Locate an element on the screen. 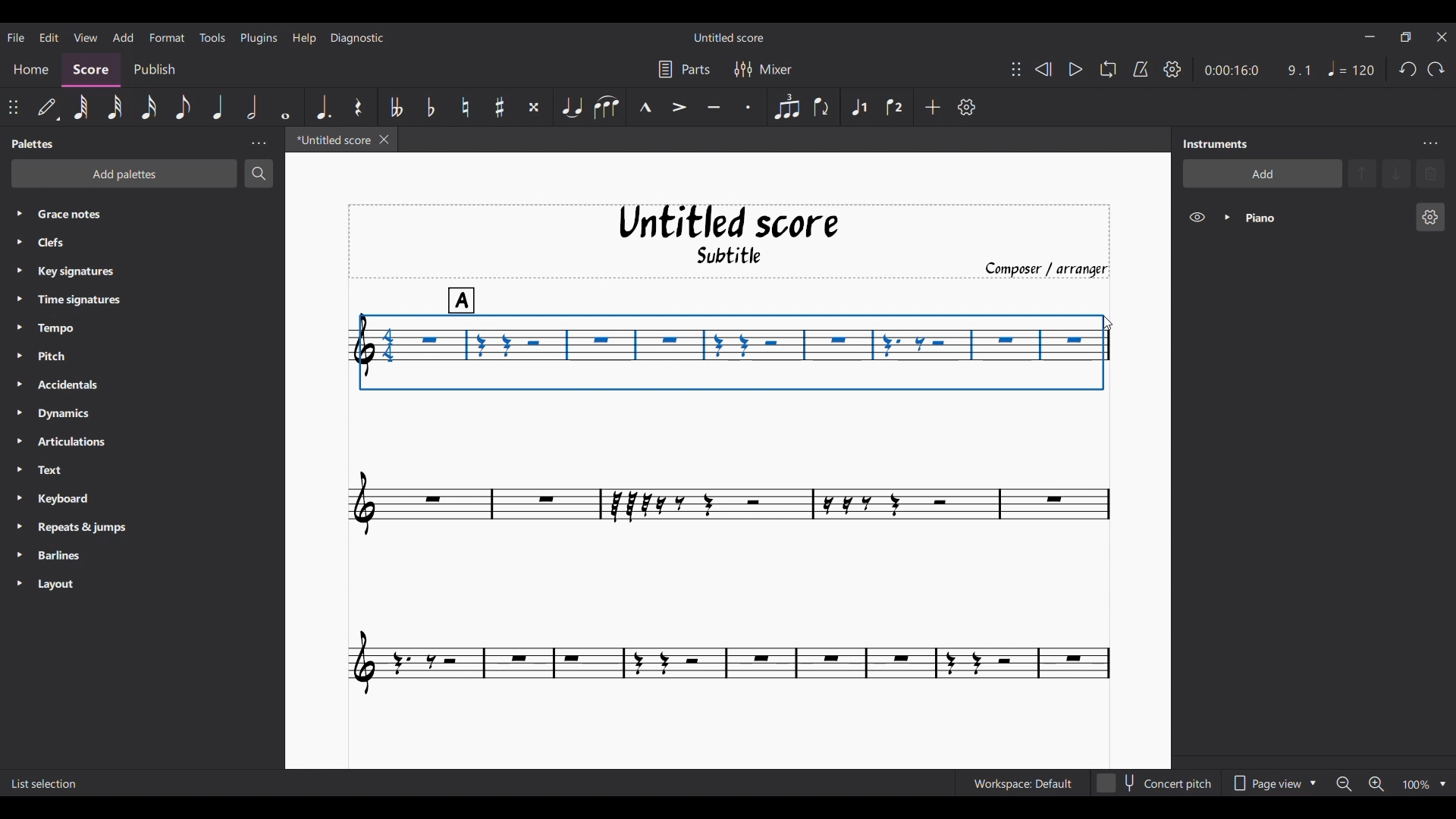 This screenshot has height=819, width=1456. Half note is located at coordinates (251, 107).